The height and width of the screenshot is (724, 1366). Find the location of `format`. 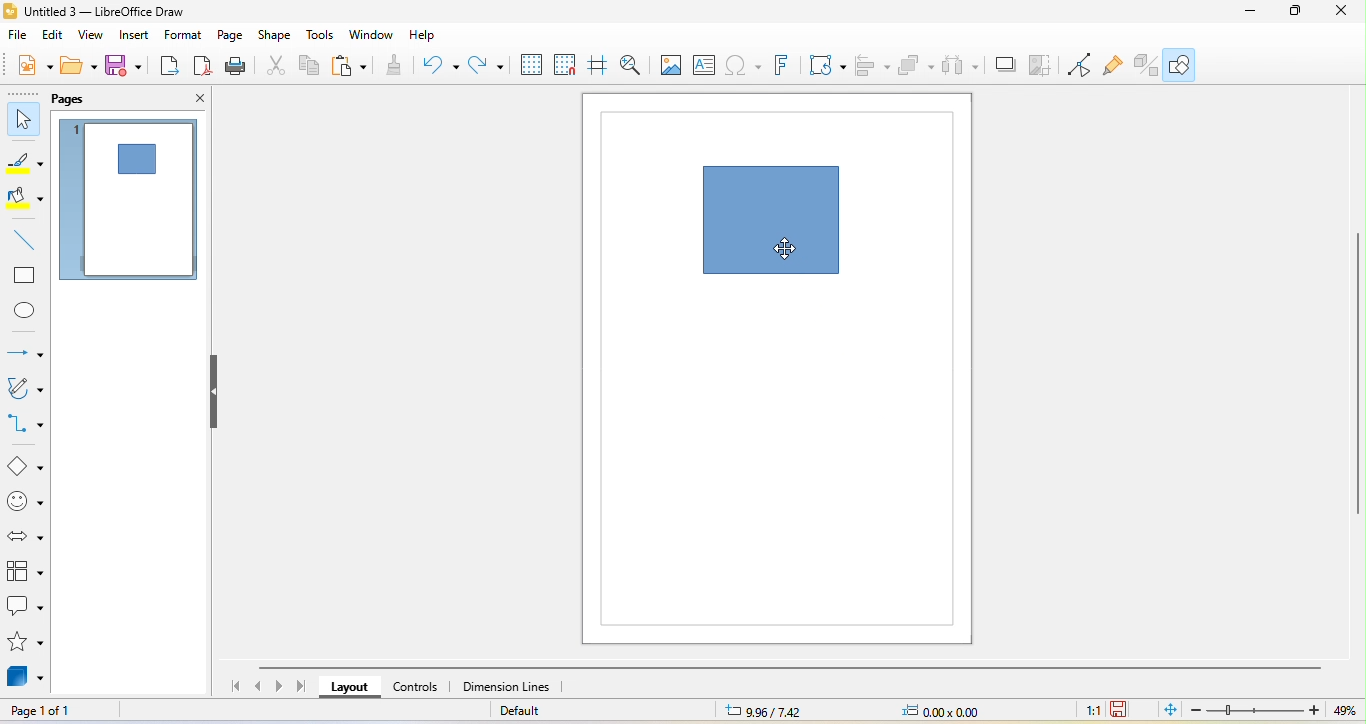

format is located at coordinates (187, 36).